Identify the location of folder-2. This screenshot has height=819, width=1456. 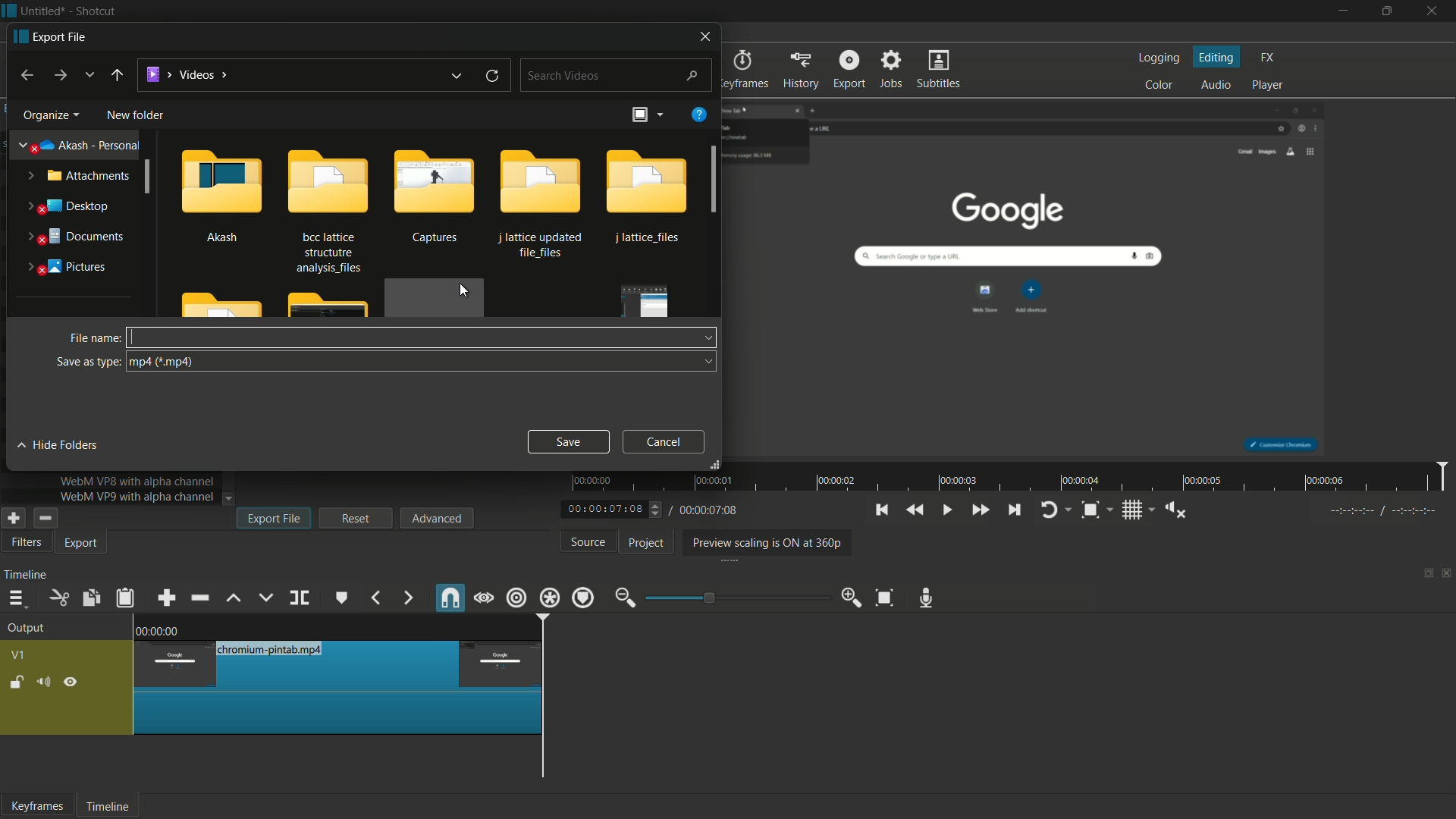
(326, 209).